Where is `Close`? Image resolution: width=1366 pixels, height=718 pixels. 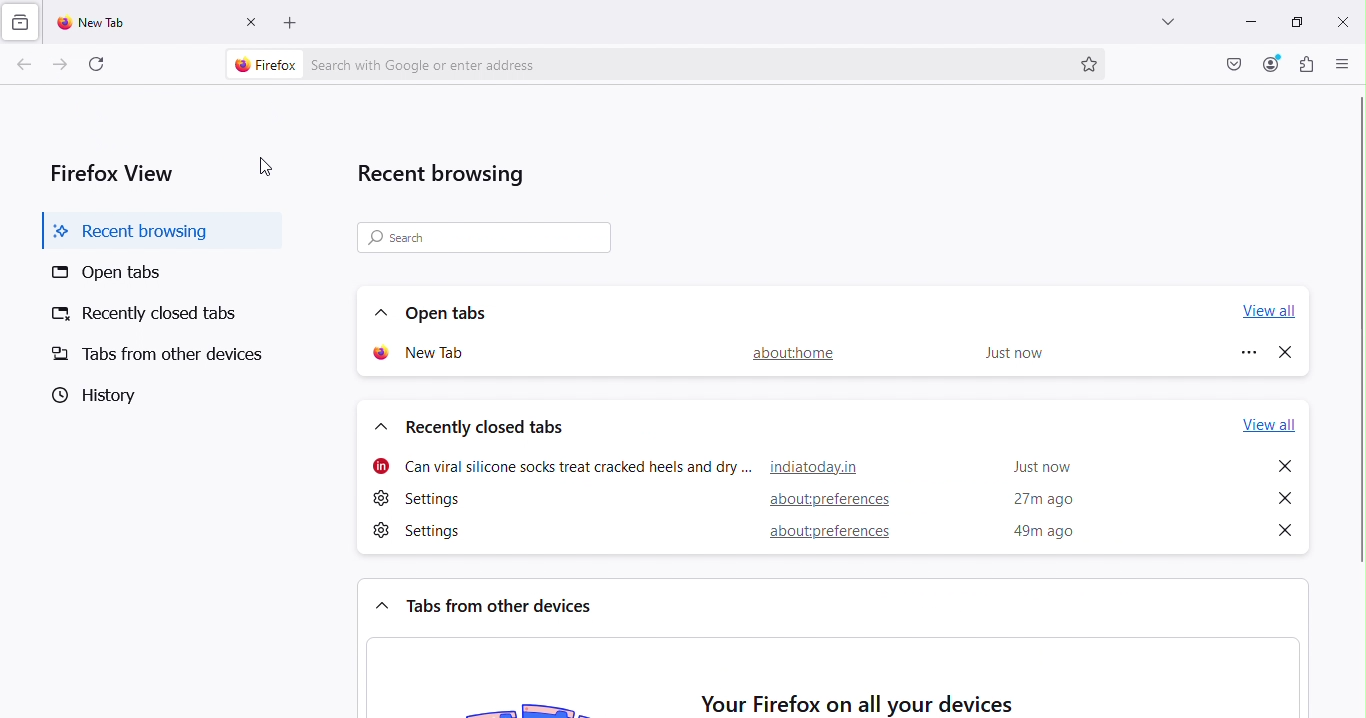
Close is located at coordinates (1285, 532).